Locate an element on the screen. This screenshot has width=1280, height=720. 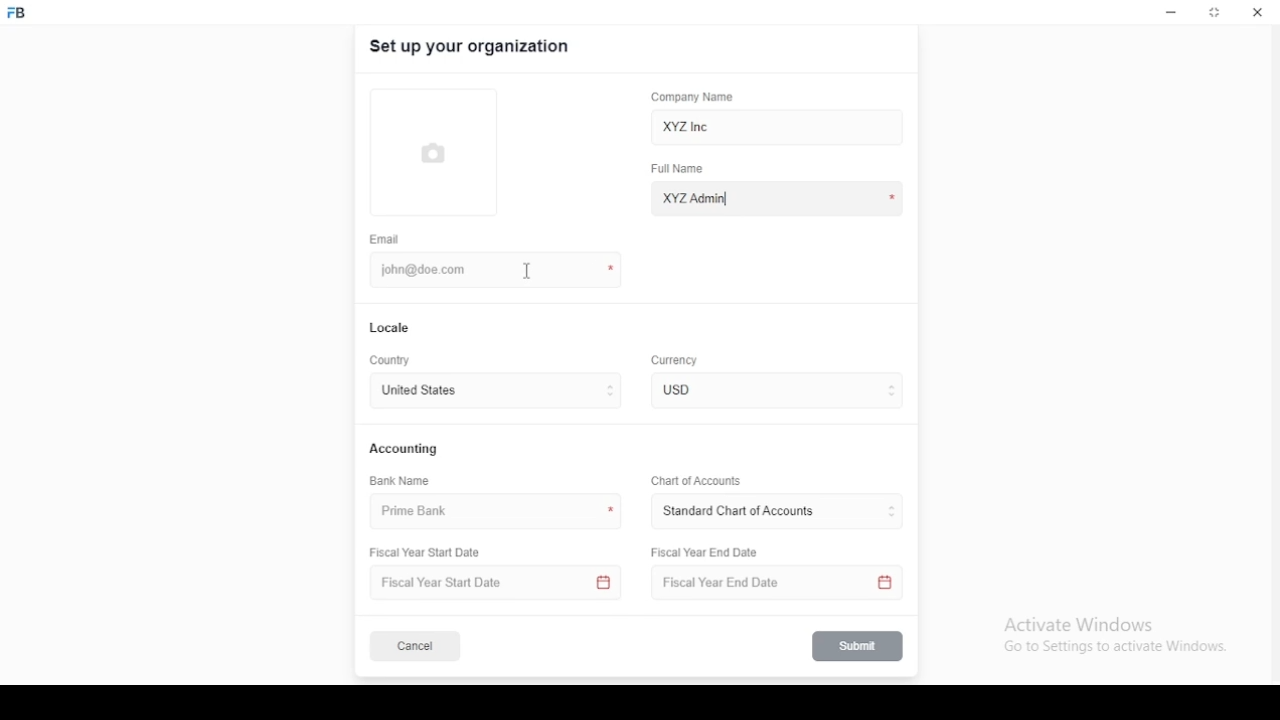
L ‘Standard Chart of Accounts is located at coordinates (737, 512).